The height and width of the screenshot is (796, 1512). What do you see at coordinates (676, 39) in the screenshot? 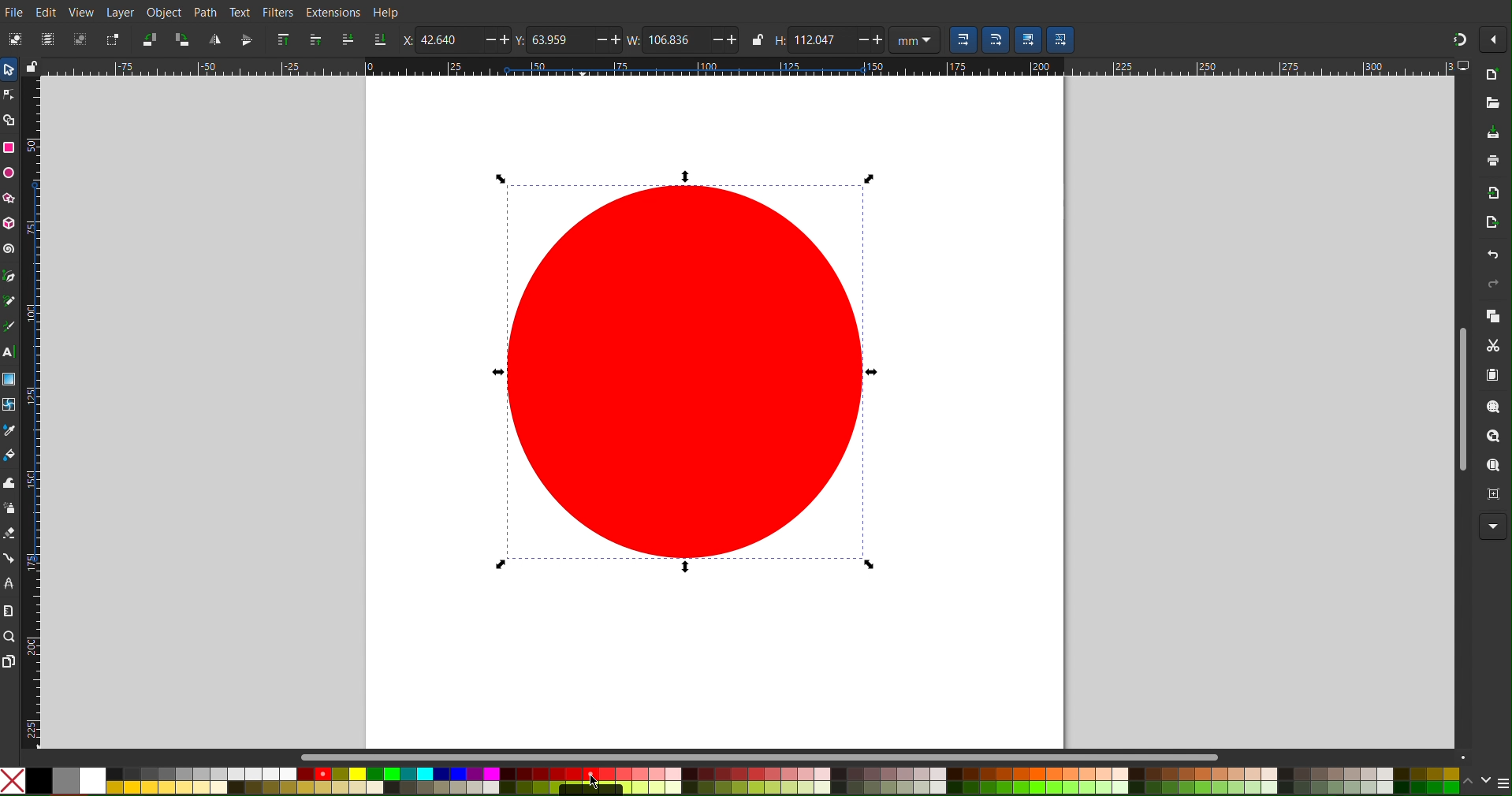
I see `106` at bounding box center [676, 39].